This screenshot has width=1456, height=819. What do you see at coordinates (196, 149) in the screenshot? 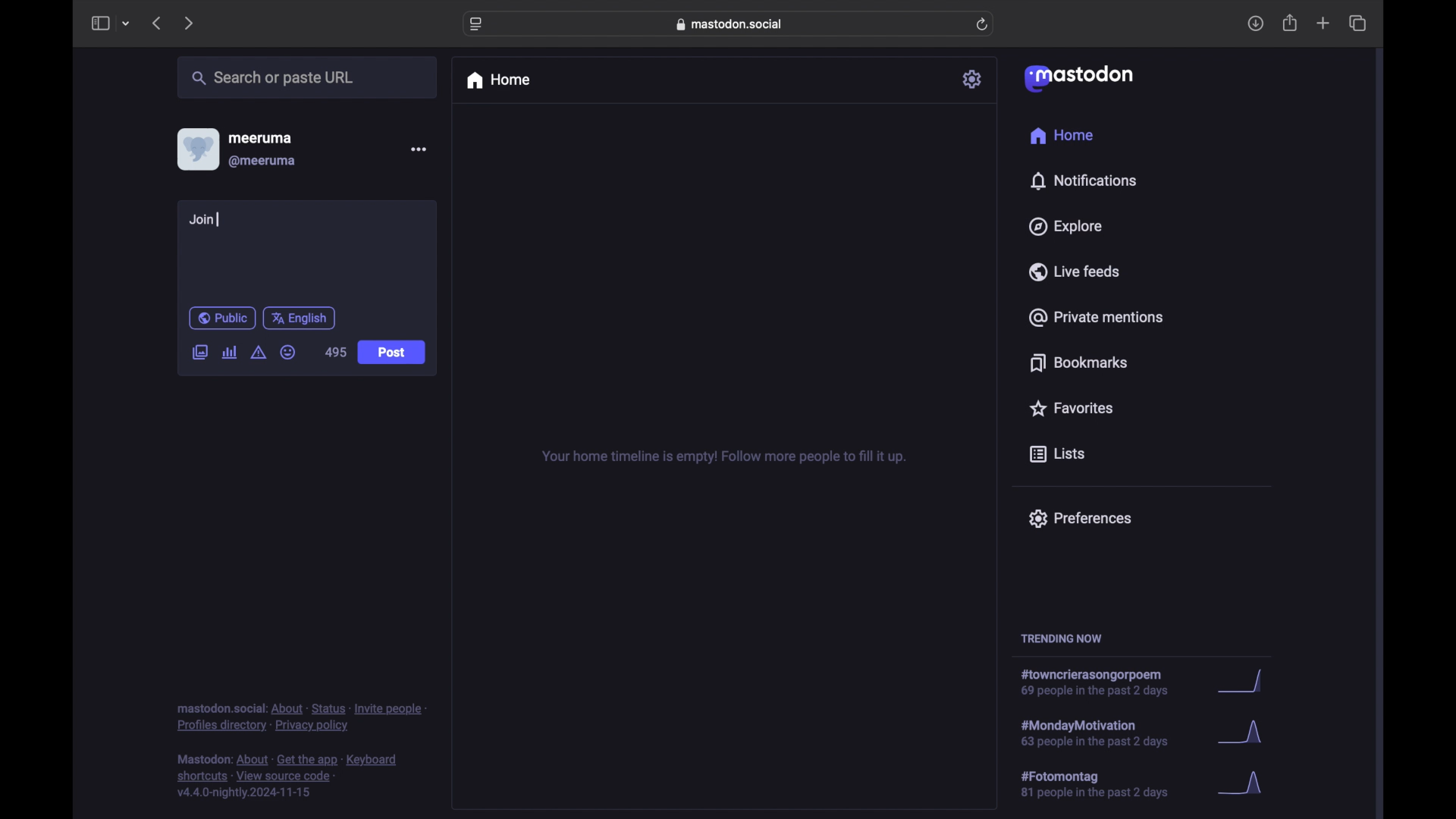
I see `display picture` at bounding box center [196, 149].